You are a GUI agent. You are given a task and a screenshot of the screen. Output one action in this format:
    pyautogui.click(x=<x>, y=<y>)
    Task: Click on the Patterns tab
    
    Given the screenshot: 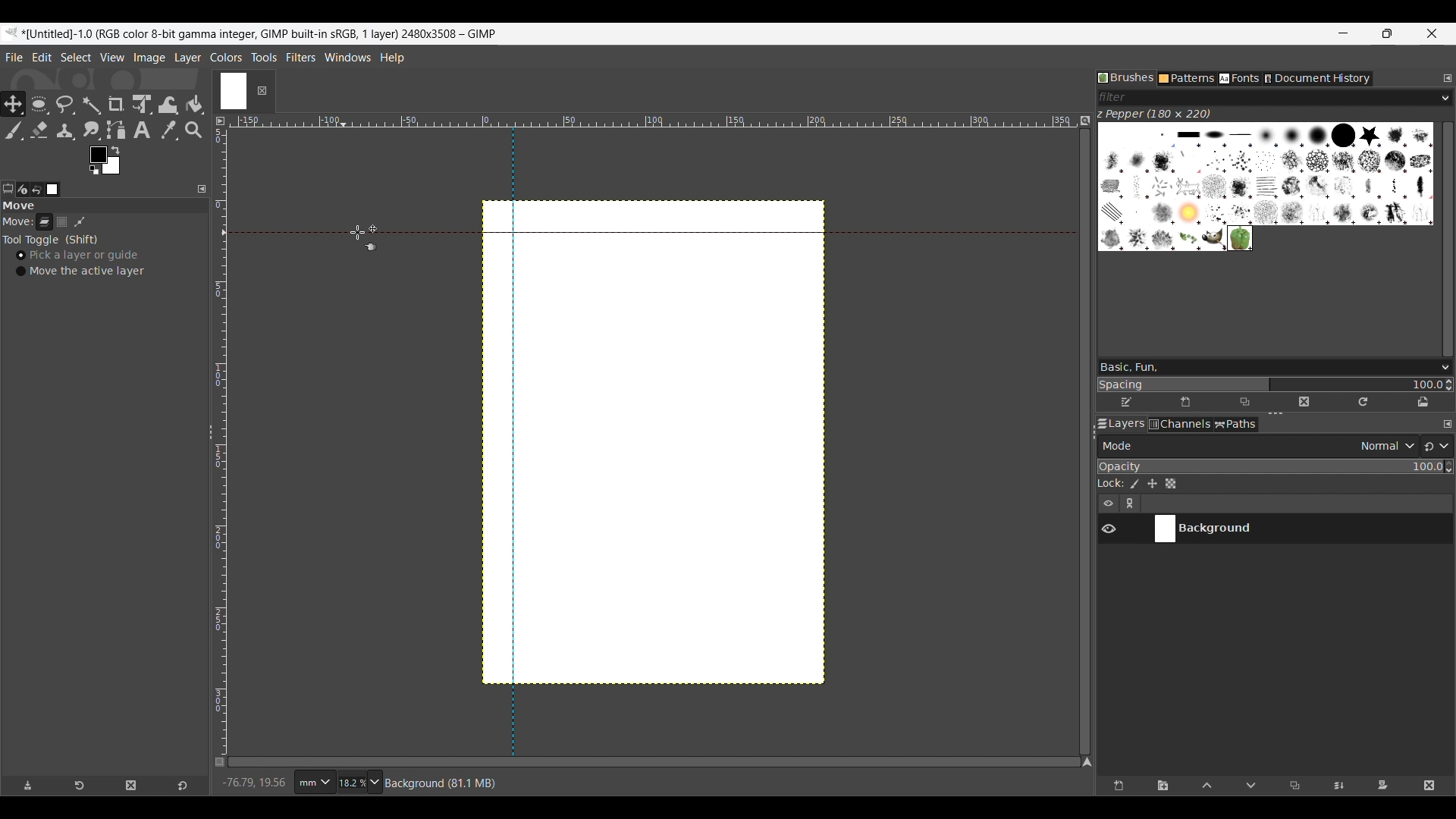 What is the action you would take?
    pyautogui.click(x=1187, y=79)
    